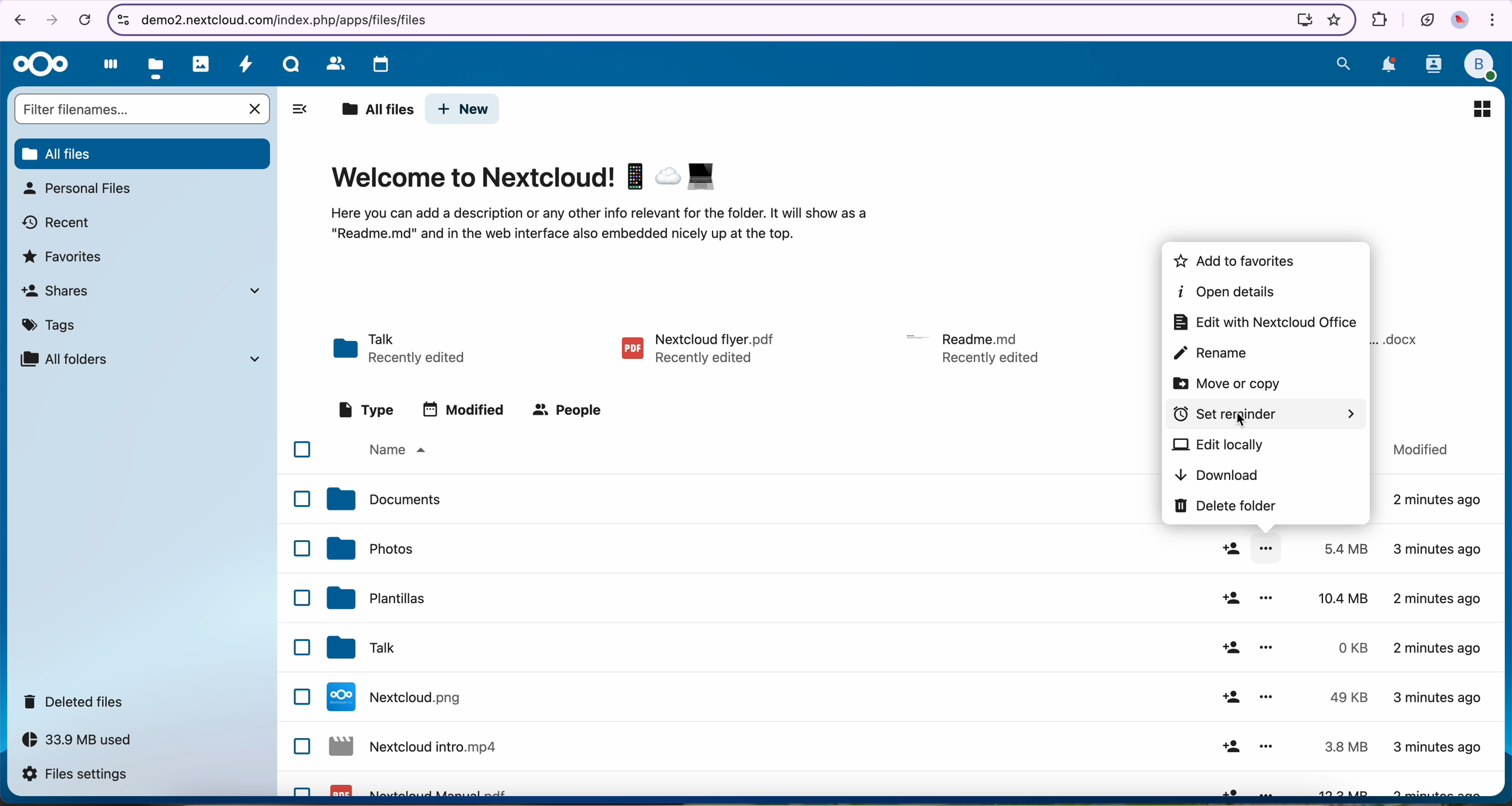 This screenshot has width=1512, height=806. Describe the element at coordinates (298, 614) in the screenshot. I see `checkbox list` at that location.